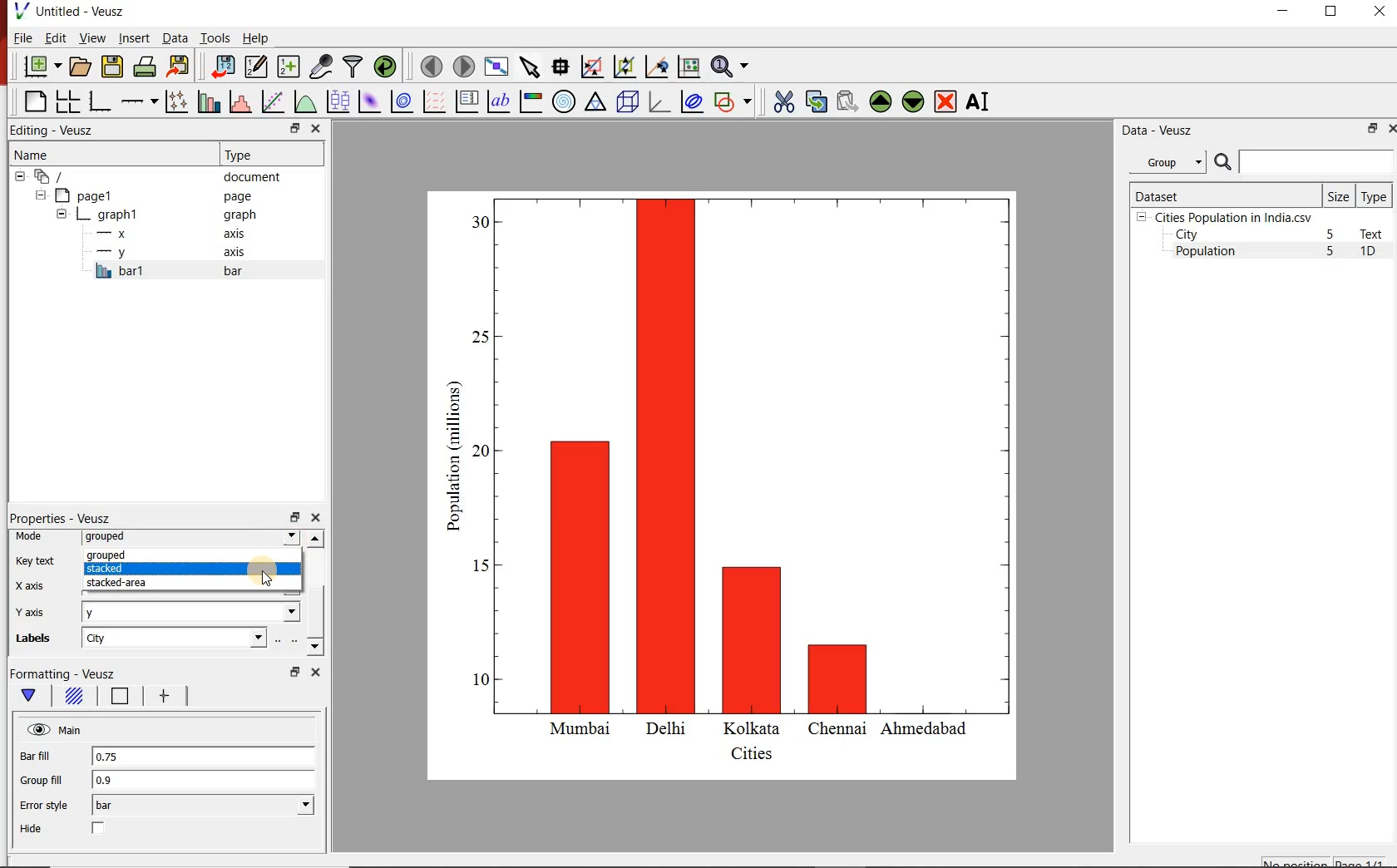  What do you see at coordinates (188, 570) in the screenshot?
I see `stacked` at bounding box center [188, 570].